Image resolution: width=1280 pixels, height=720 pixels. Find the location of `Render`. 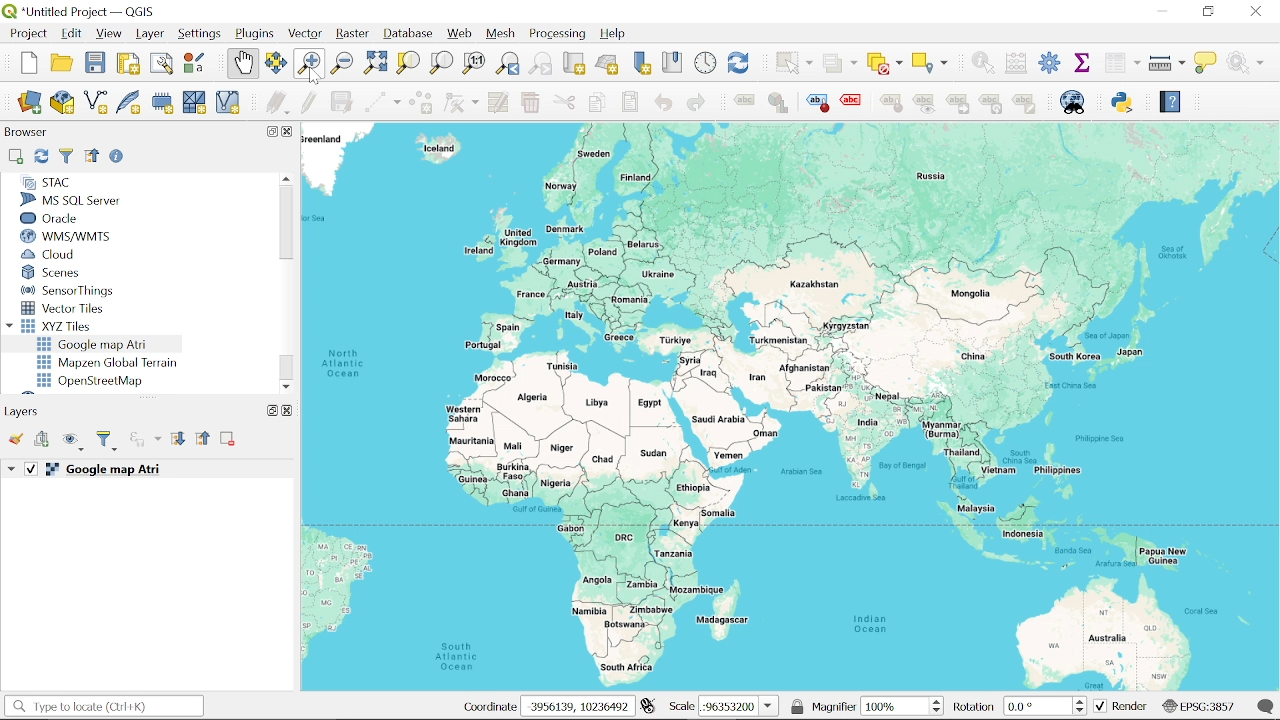

Render is located at coordinates (1121, 707).